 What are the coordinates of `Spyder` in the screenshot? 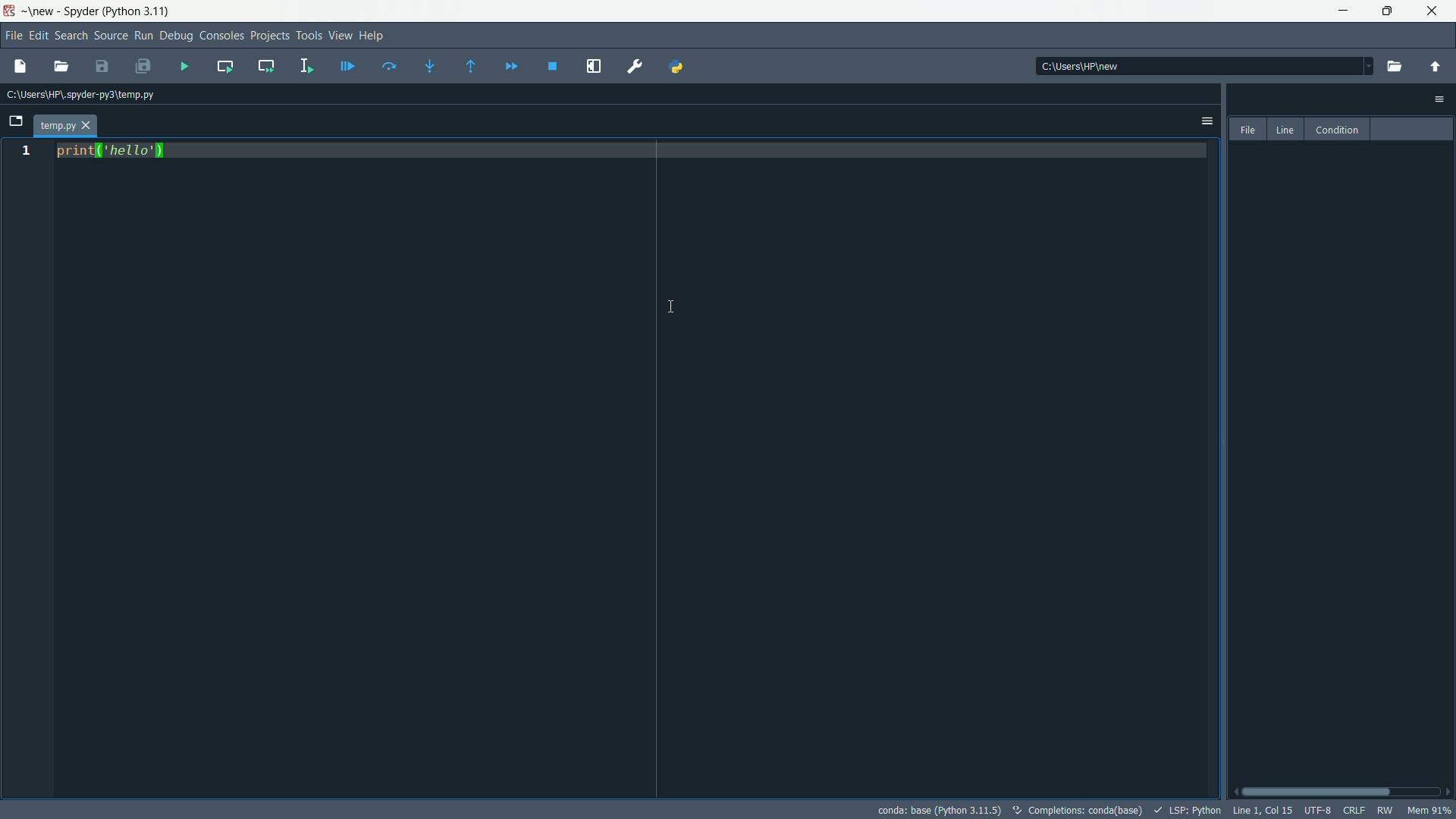 It's located at (83, 11).